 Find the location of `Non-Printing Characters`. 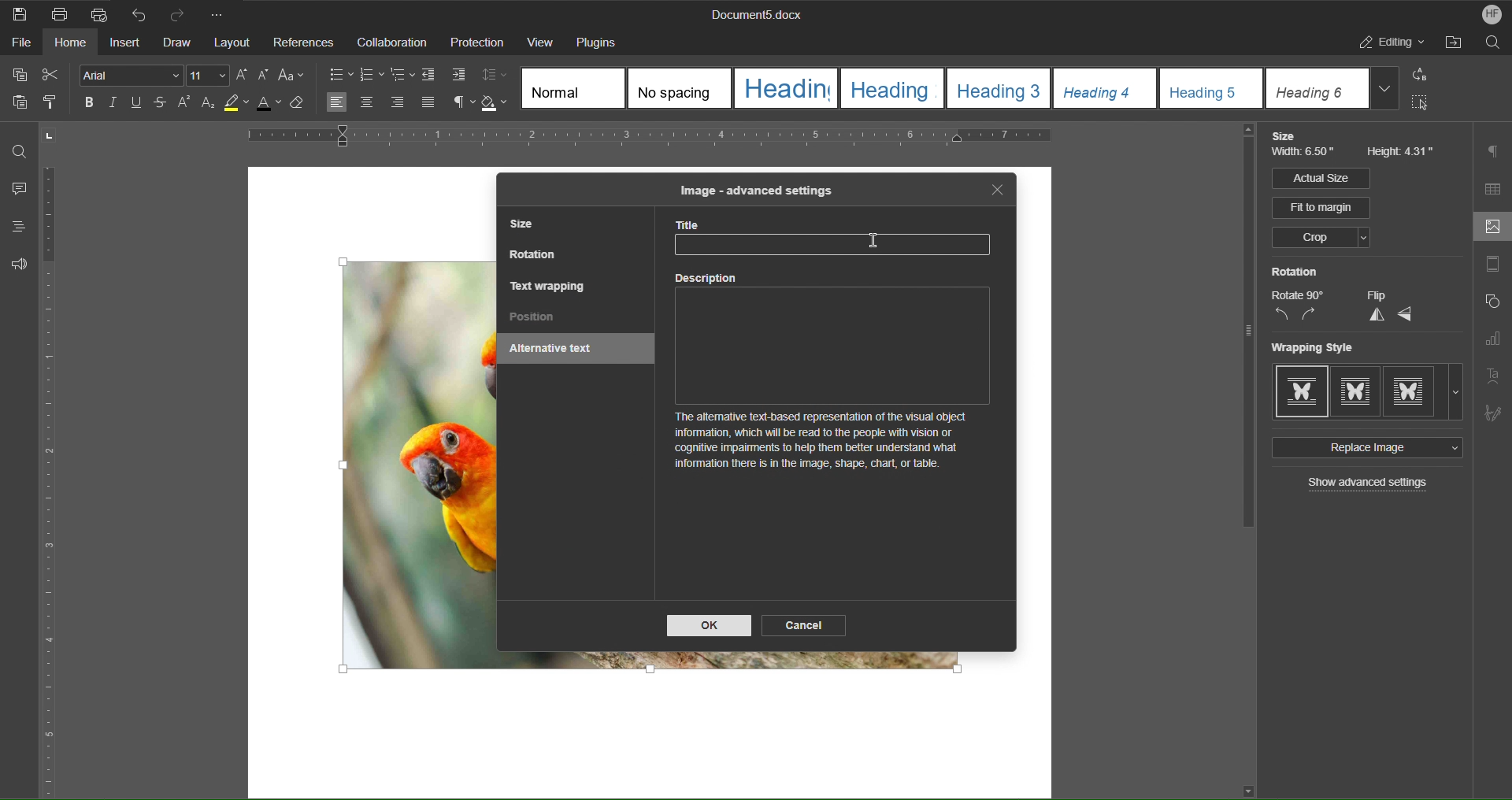

Non-Printing Characters is located at coordinates (458, 103).